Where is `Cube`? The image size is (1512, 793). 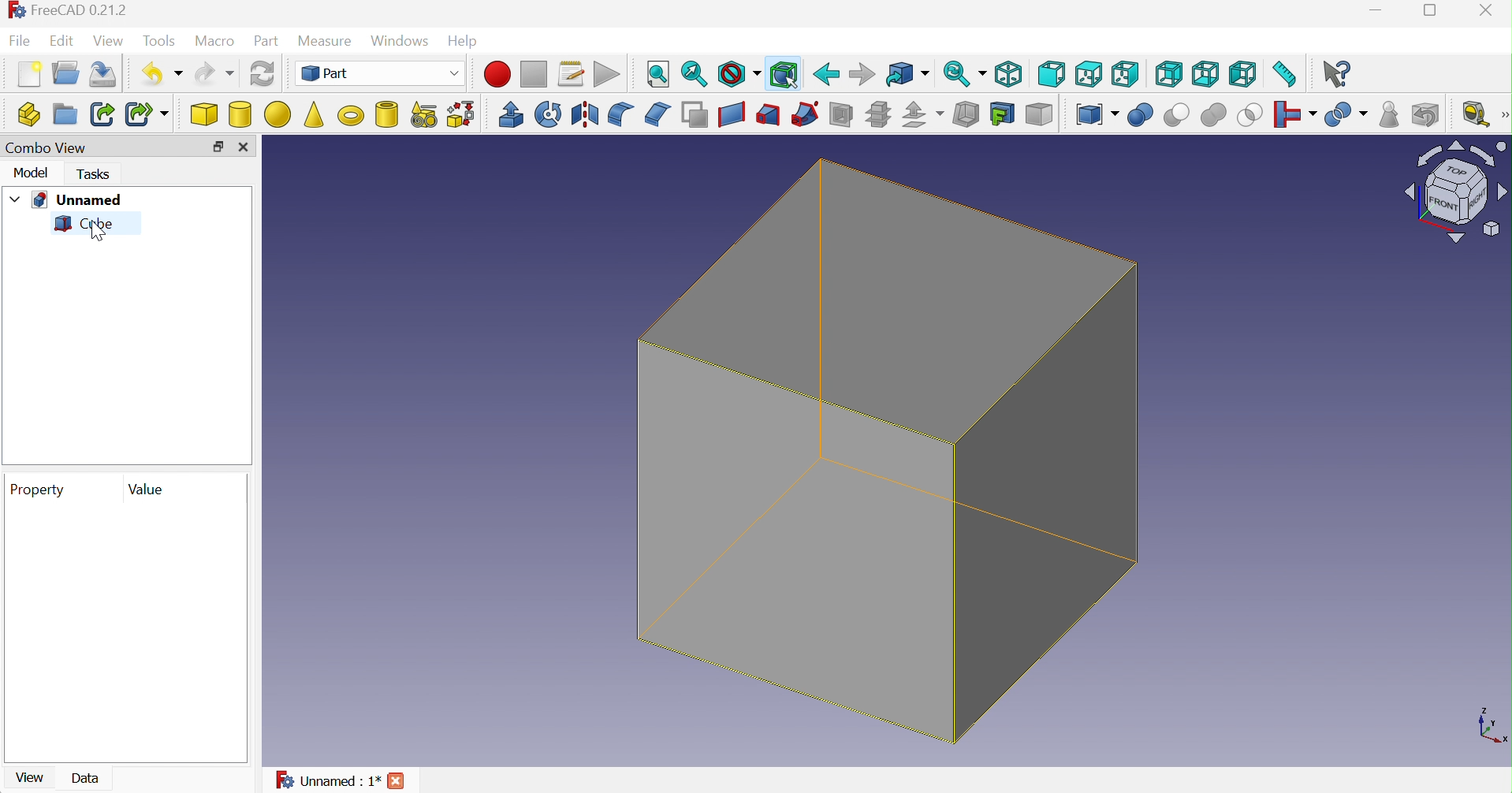
Cube is located at coordinates (205, 114).